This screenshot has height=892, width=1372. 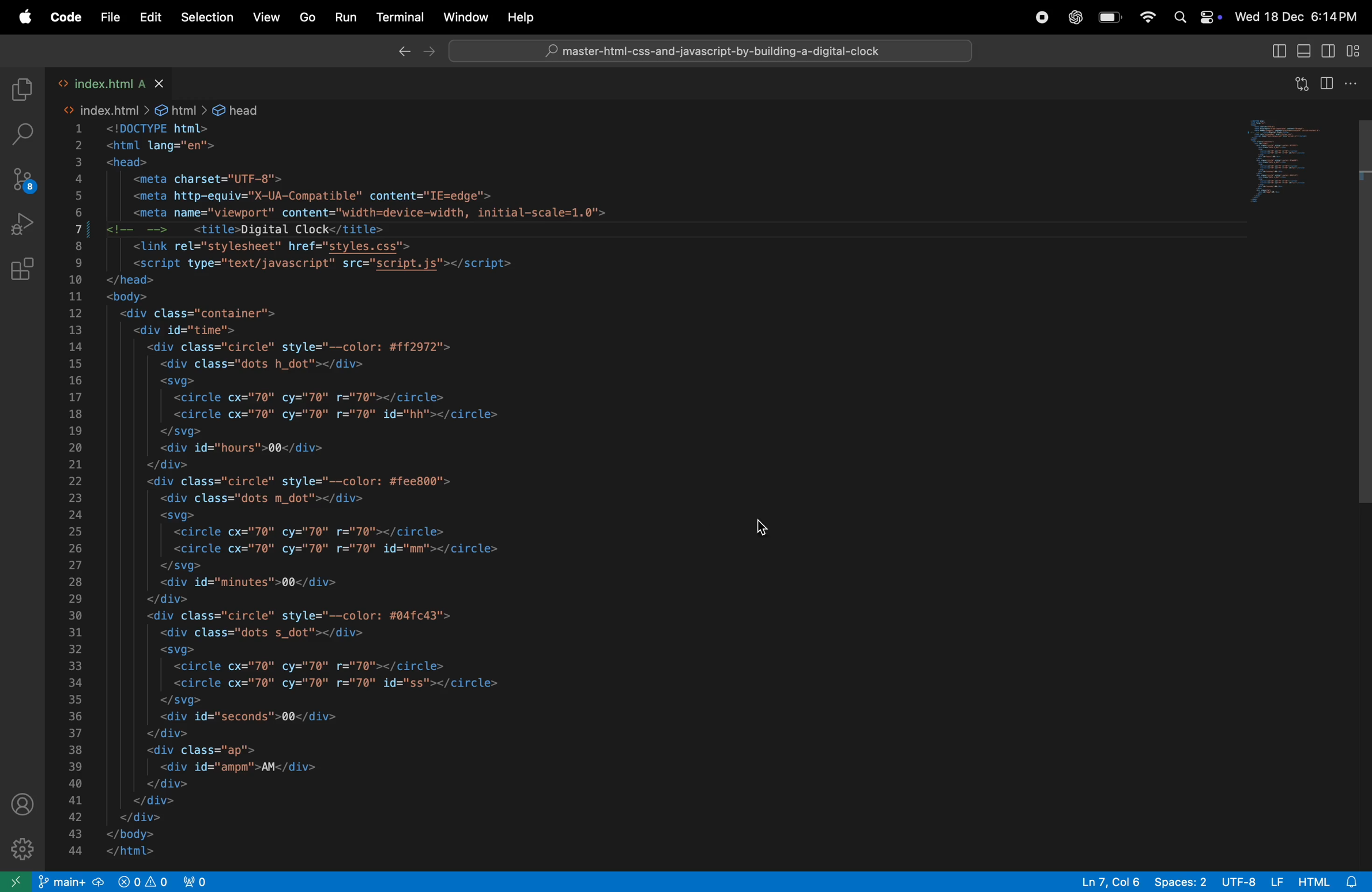 I want to click on Go, so click(x=307, y=18).